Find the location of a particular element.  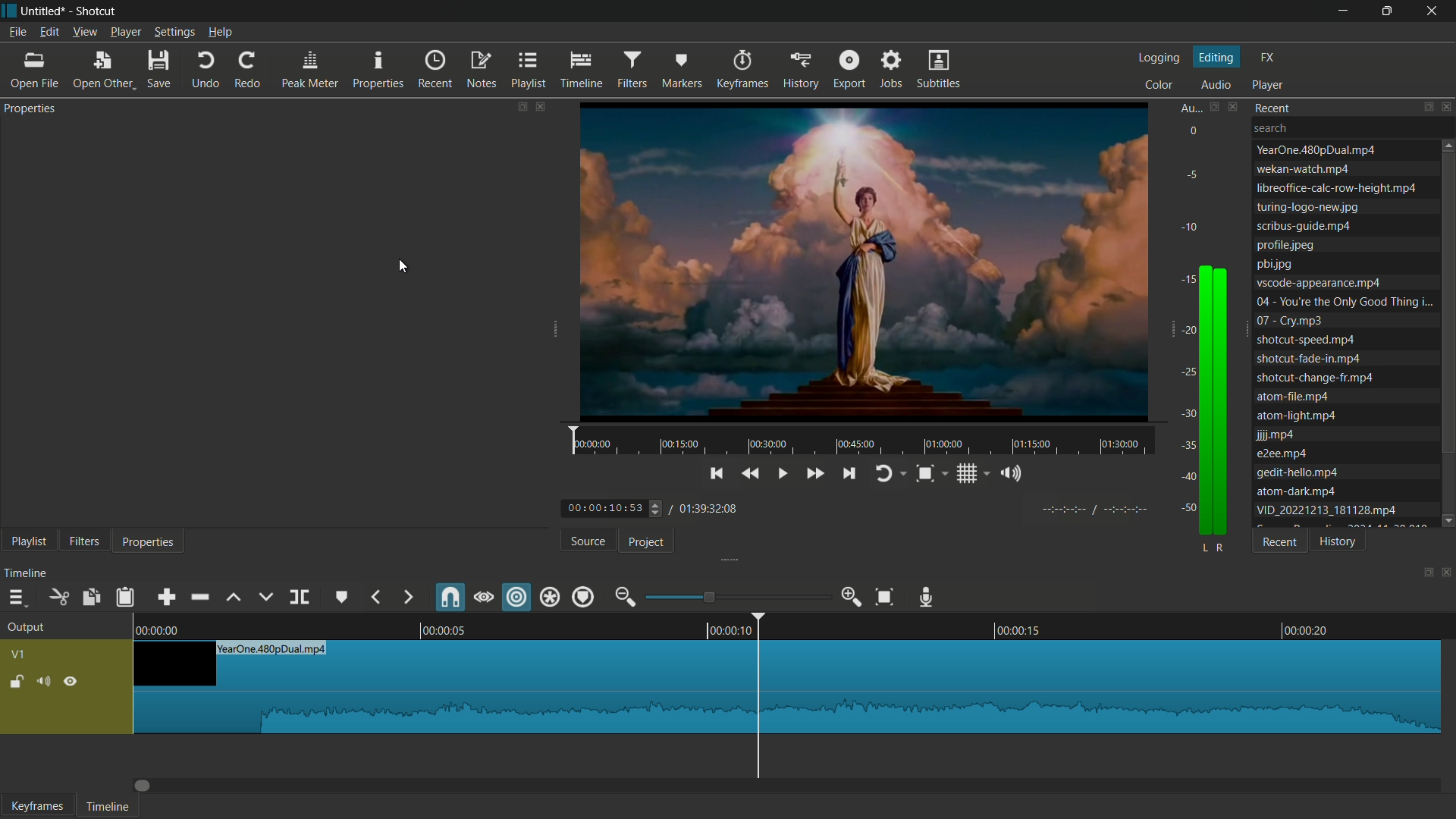

snap is located at coordinates (449, 598).